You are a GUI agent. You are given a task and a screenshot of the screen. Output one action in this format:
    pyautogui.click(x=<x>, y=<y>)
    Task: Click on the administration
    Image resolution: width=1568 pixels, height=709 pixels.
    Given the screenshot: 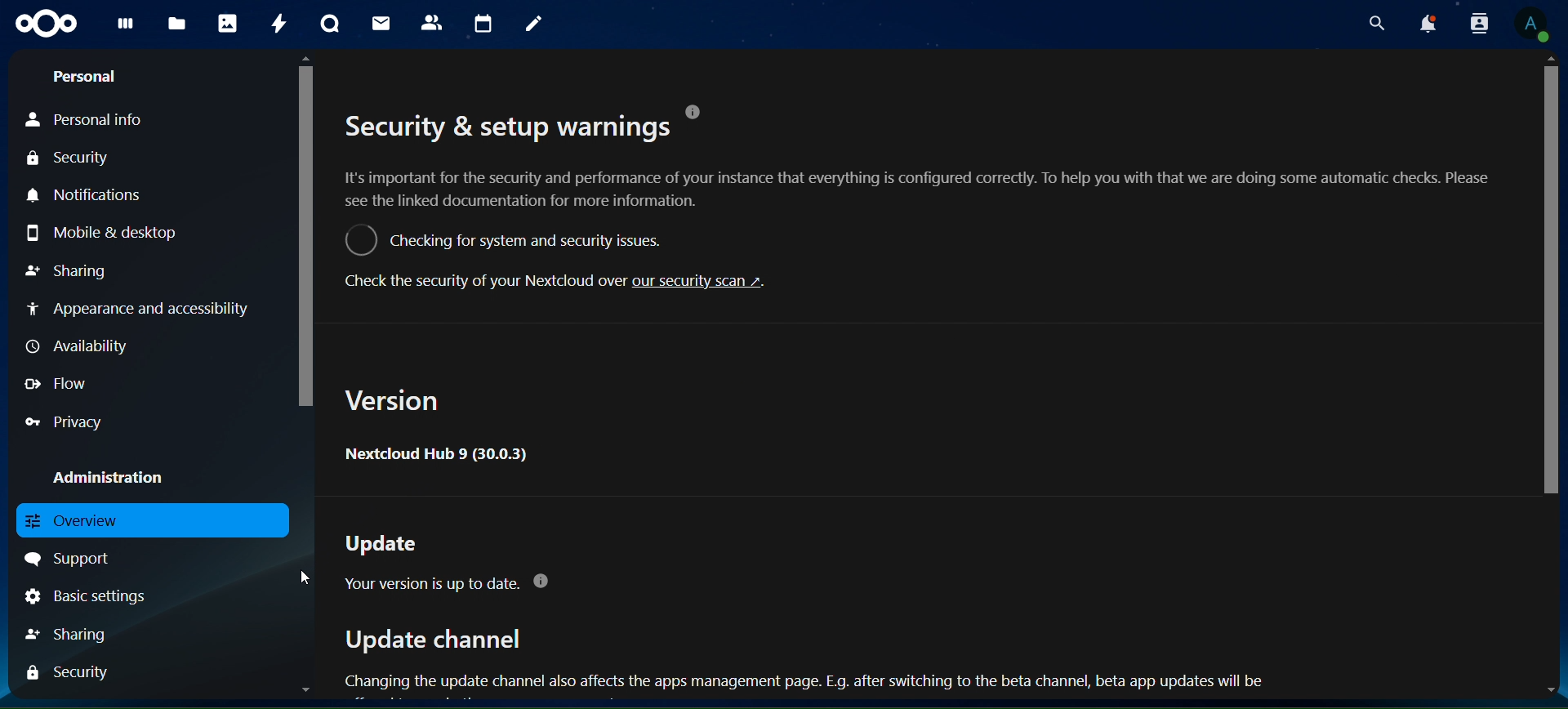 What is the action you would take?
    pyautogui.click(x=105, y=476)
    